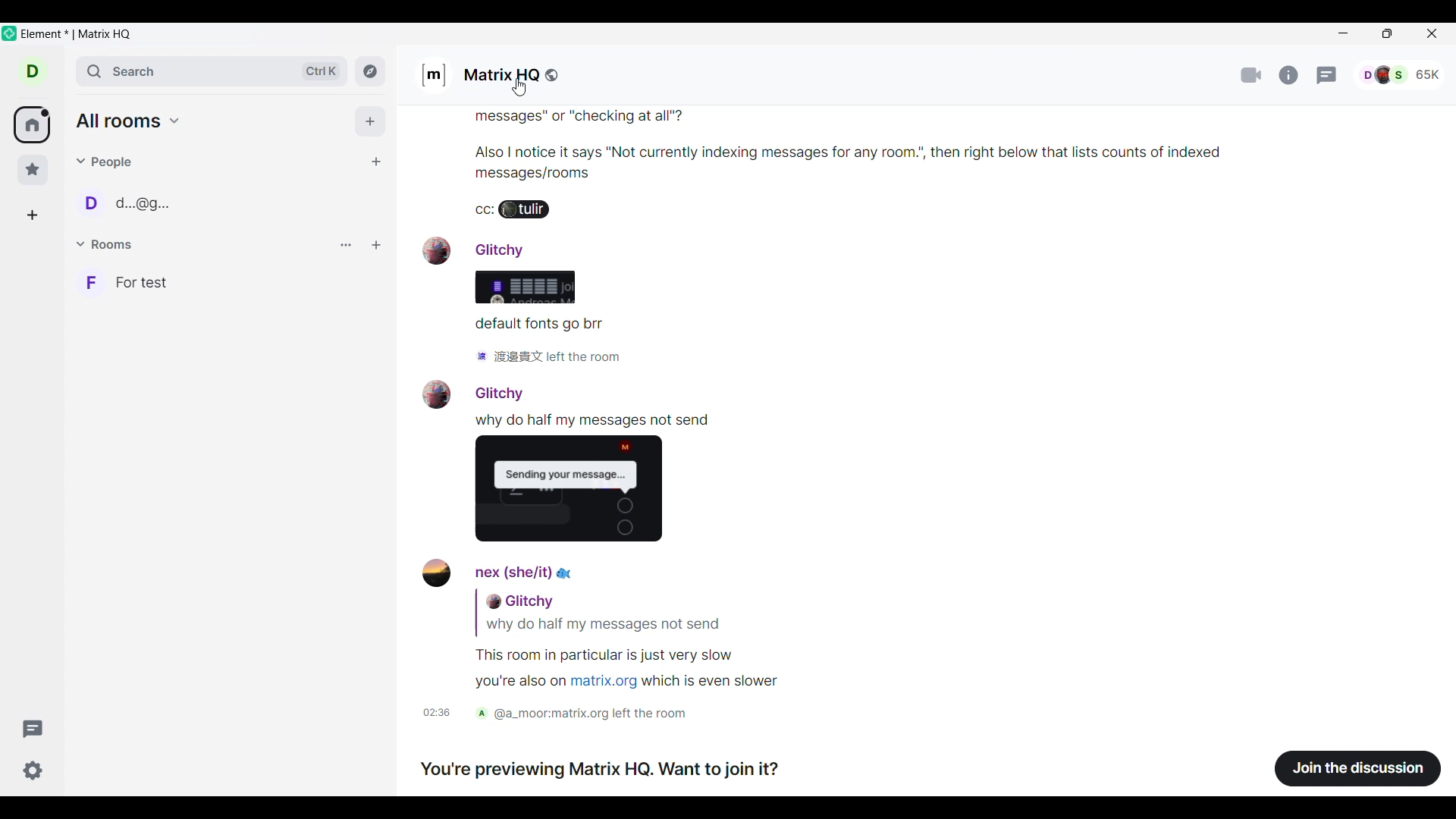 The width and height of the screenshot is (1456, 819). Describe the element at coordinates (33, 770) in the screenshot. I see `quick settings` at that location.